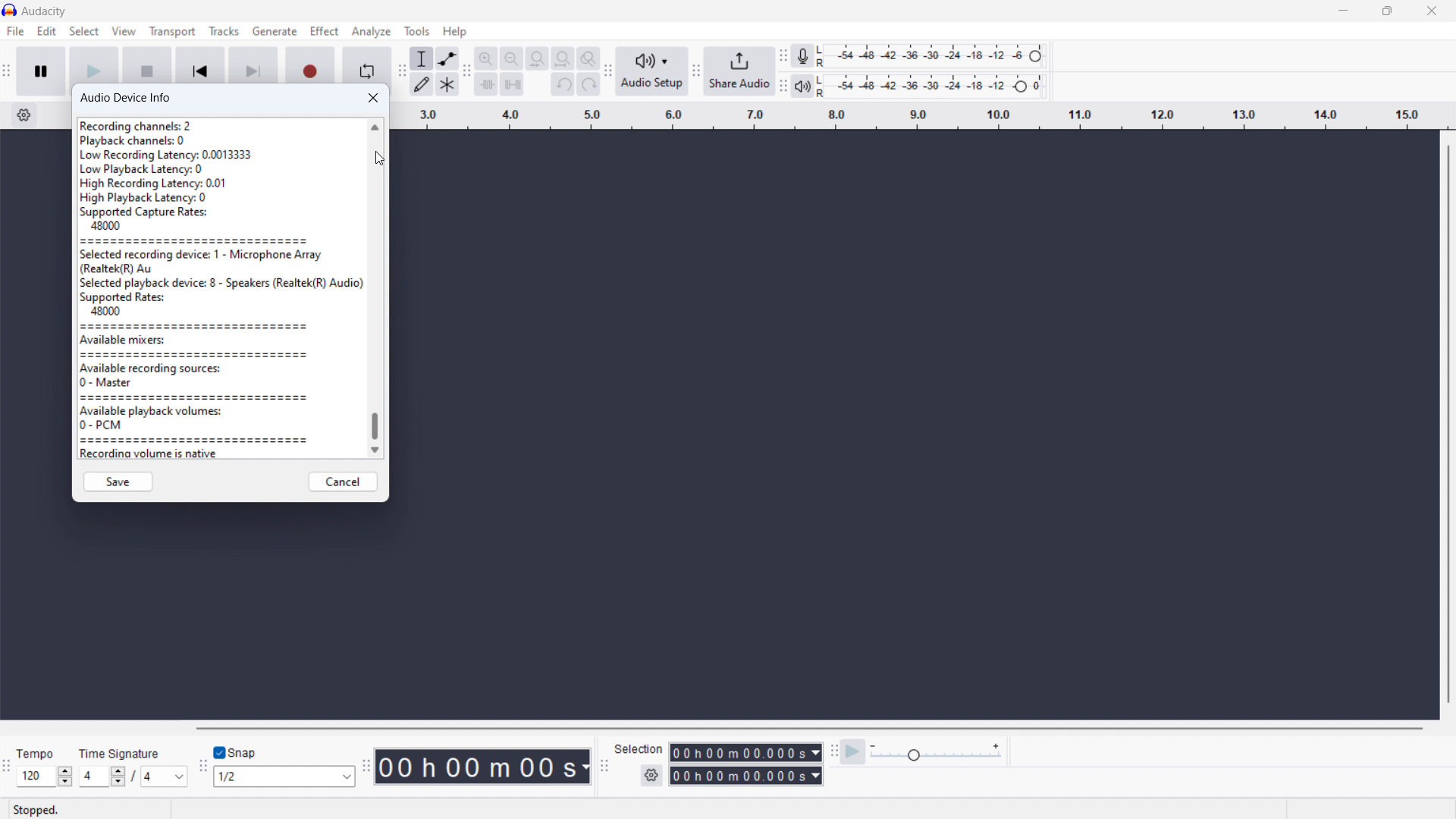 The height and width of the screenshot is (819, 1456). Describe the element at coordinates (745, 752) in the screenshot. I see `selection start` at that location.